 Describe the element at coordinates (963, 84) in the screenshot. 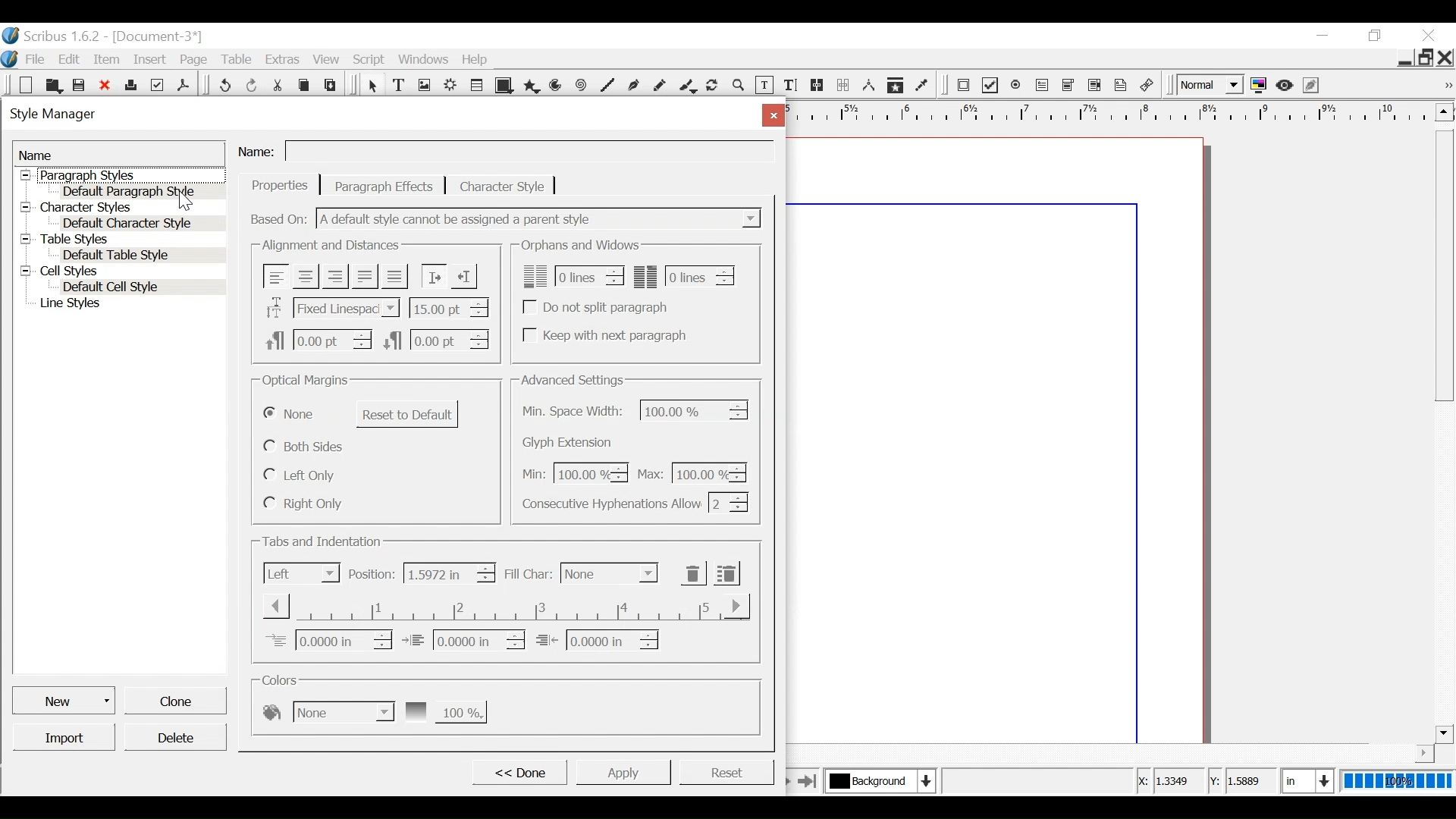

I see `PDF Push Button` at that location.